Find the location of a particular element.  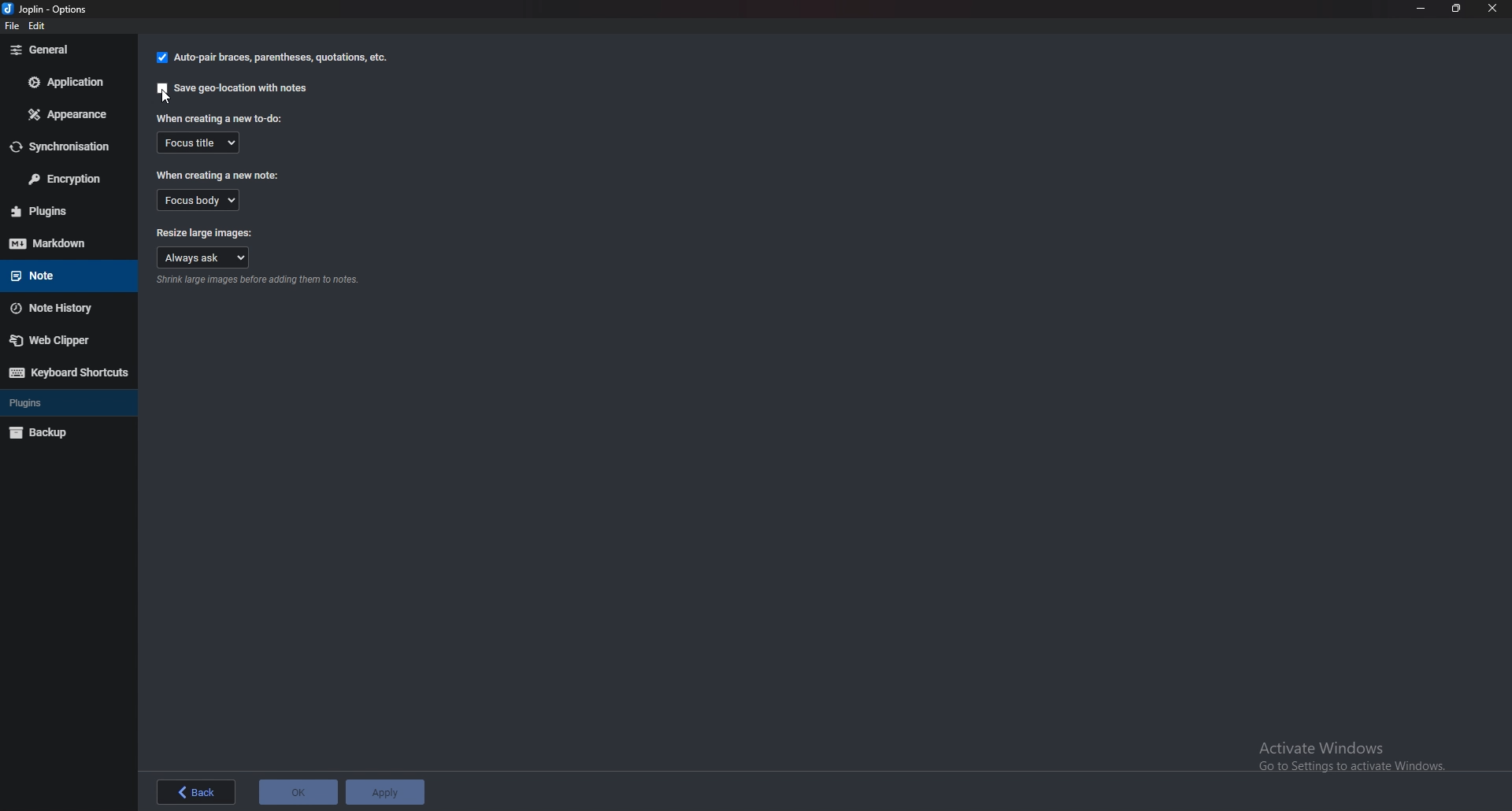

edit is located at coordinates (39, 25).